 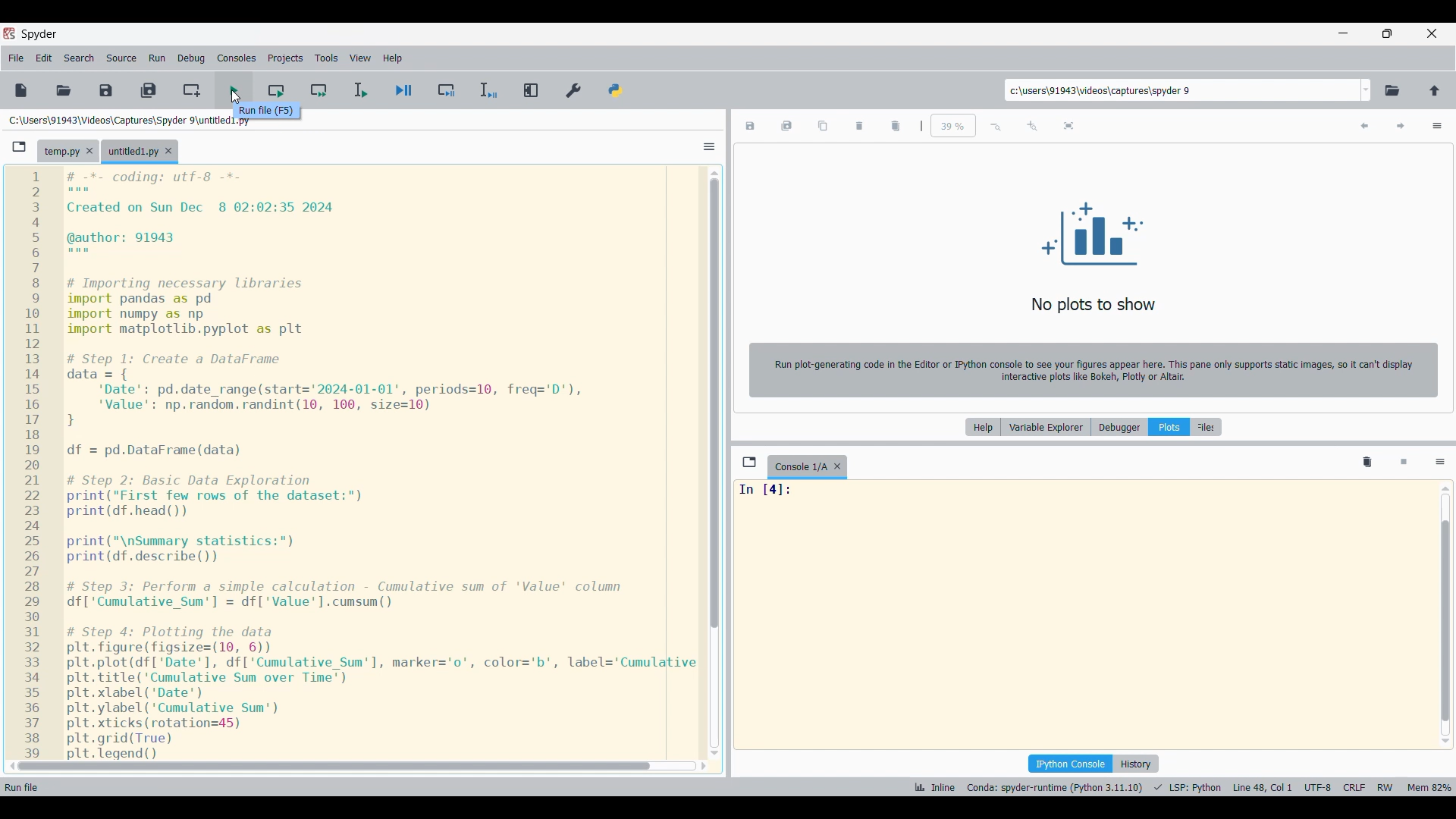 What do you see at coordinates (267, 111) in the screenshot?
I see `Description of current selection` at bounding box center [267, 111].